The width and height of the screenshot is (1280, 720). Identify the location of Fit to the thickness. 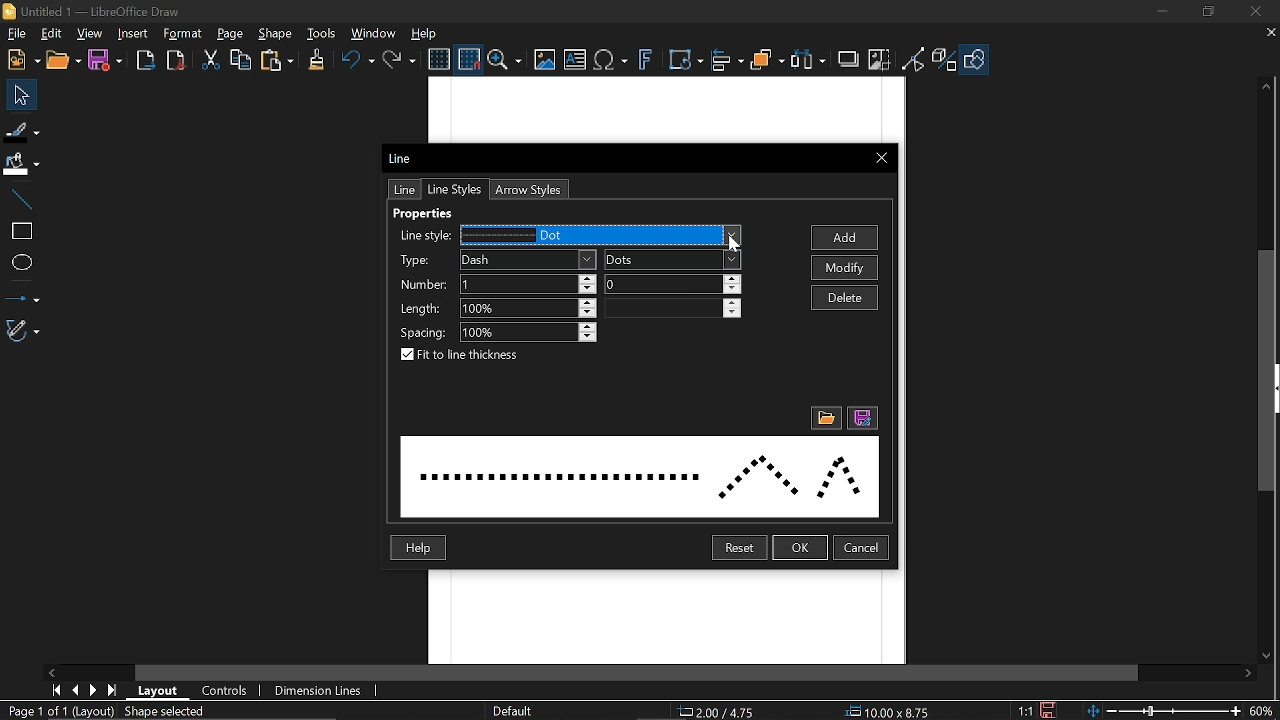
(464, 356).